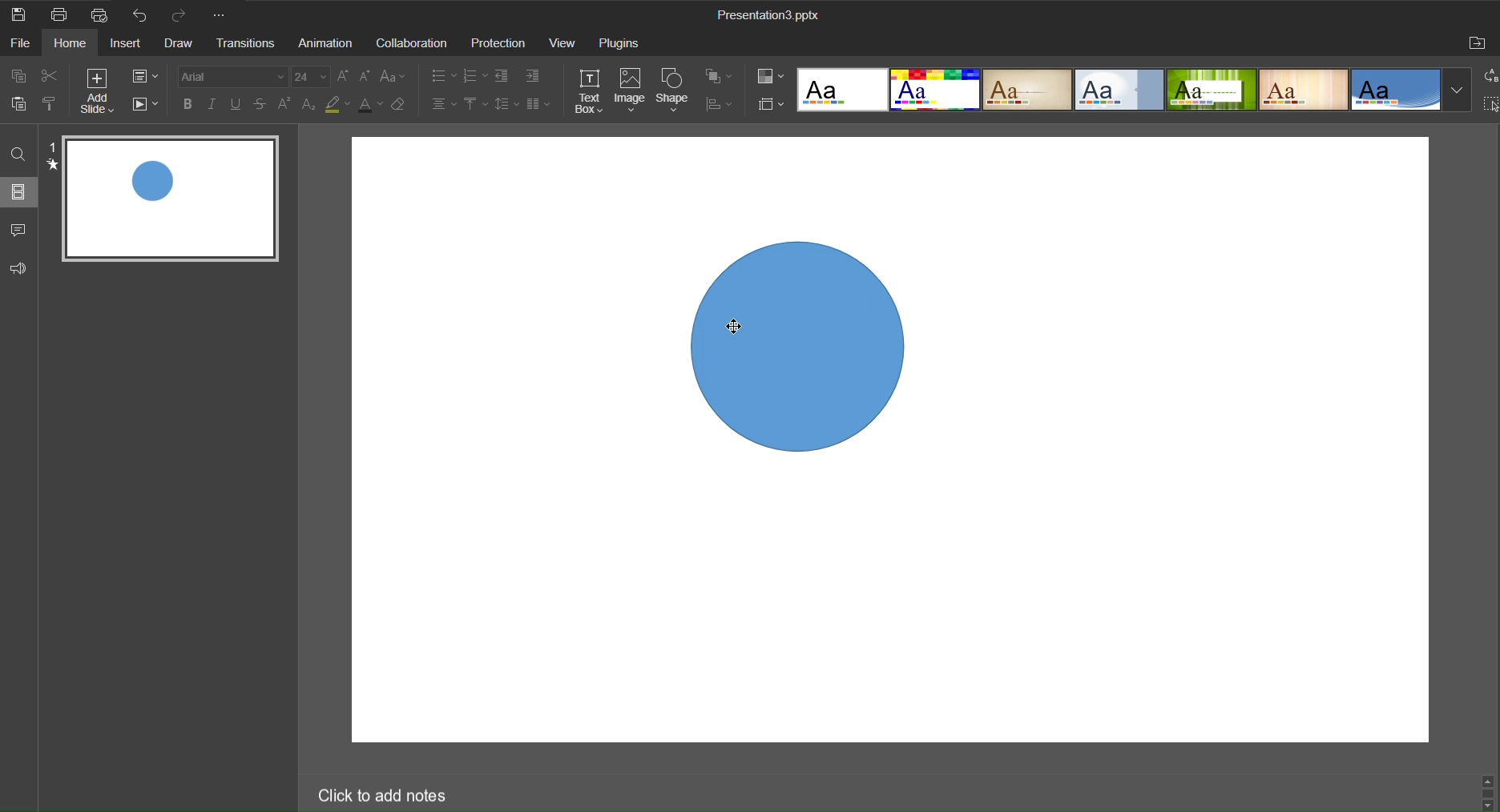 The height and width of the screenshot is (812, 1500). Describe the element at coordinates (1490, 103) in the screenshot. I see `Select All` at that location.